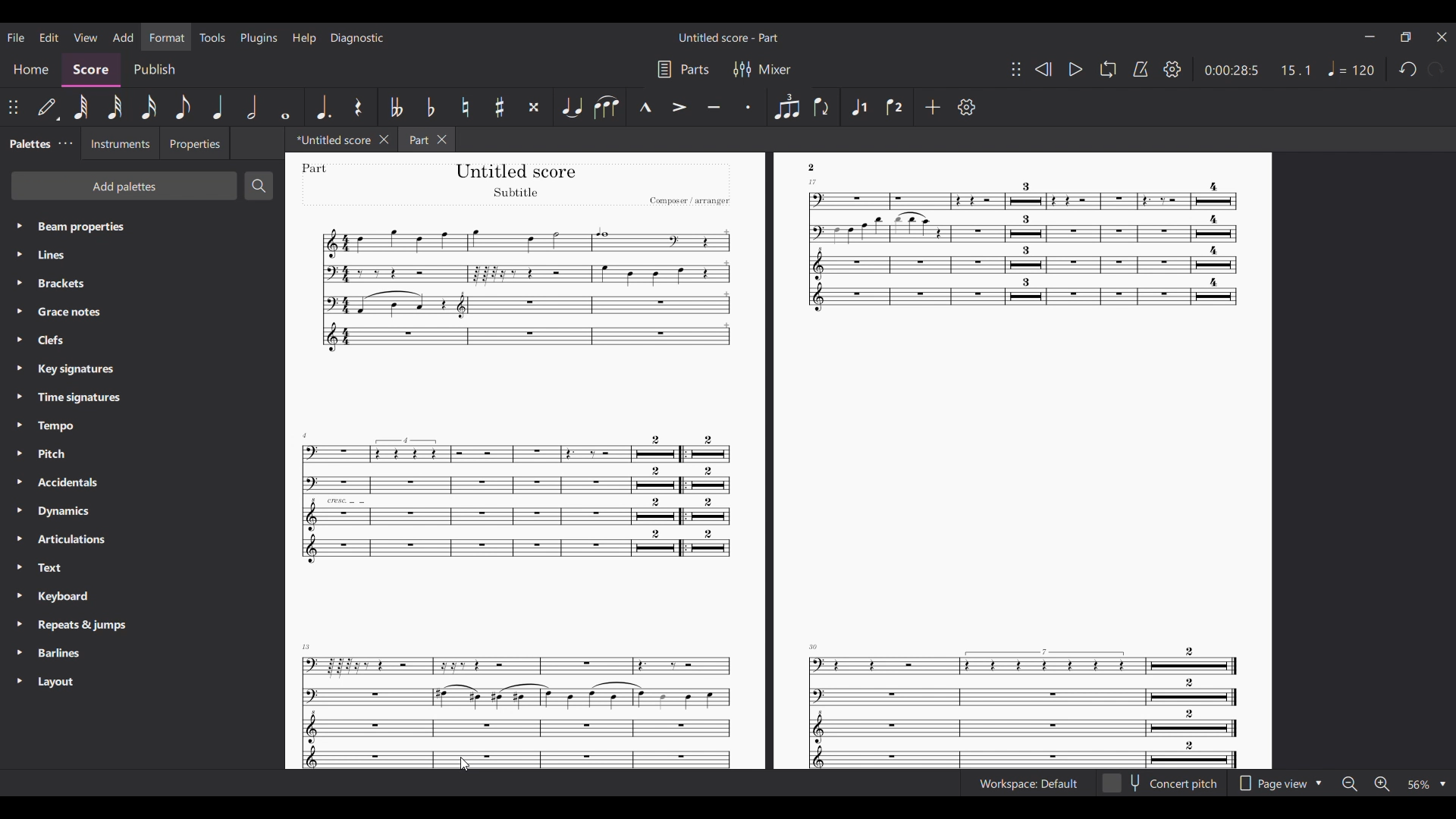  What do you see at coordinates (895, 107) in the screenshot?
I see `Voice 2` at bounding box center [895, 107].